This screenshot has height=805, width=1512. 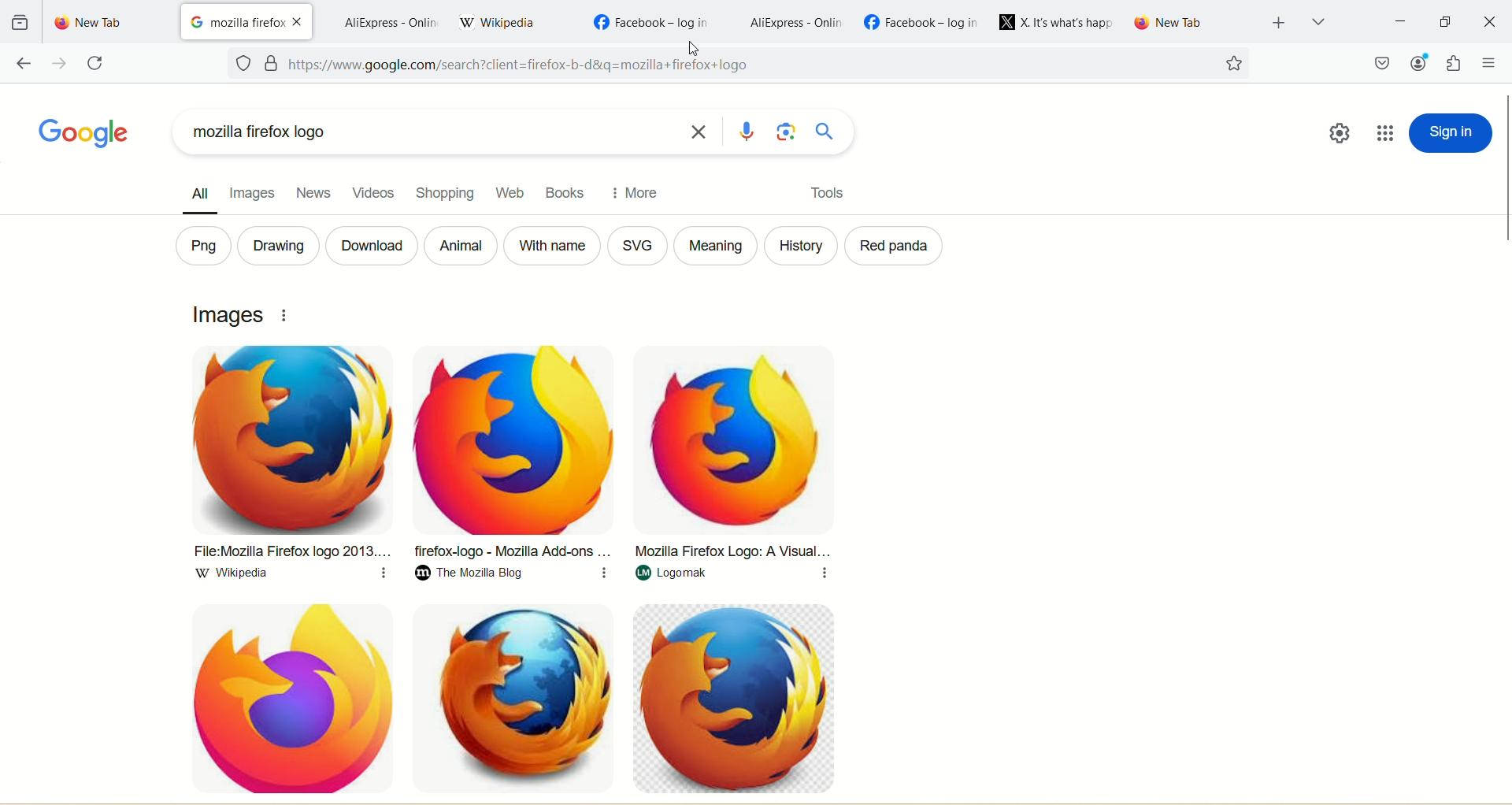 I want to click on all, so click(x=191, y=191).